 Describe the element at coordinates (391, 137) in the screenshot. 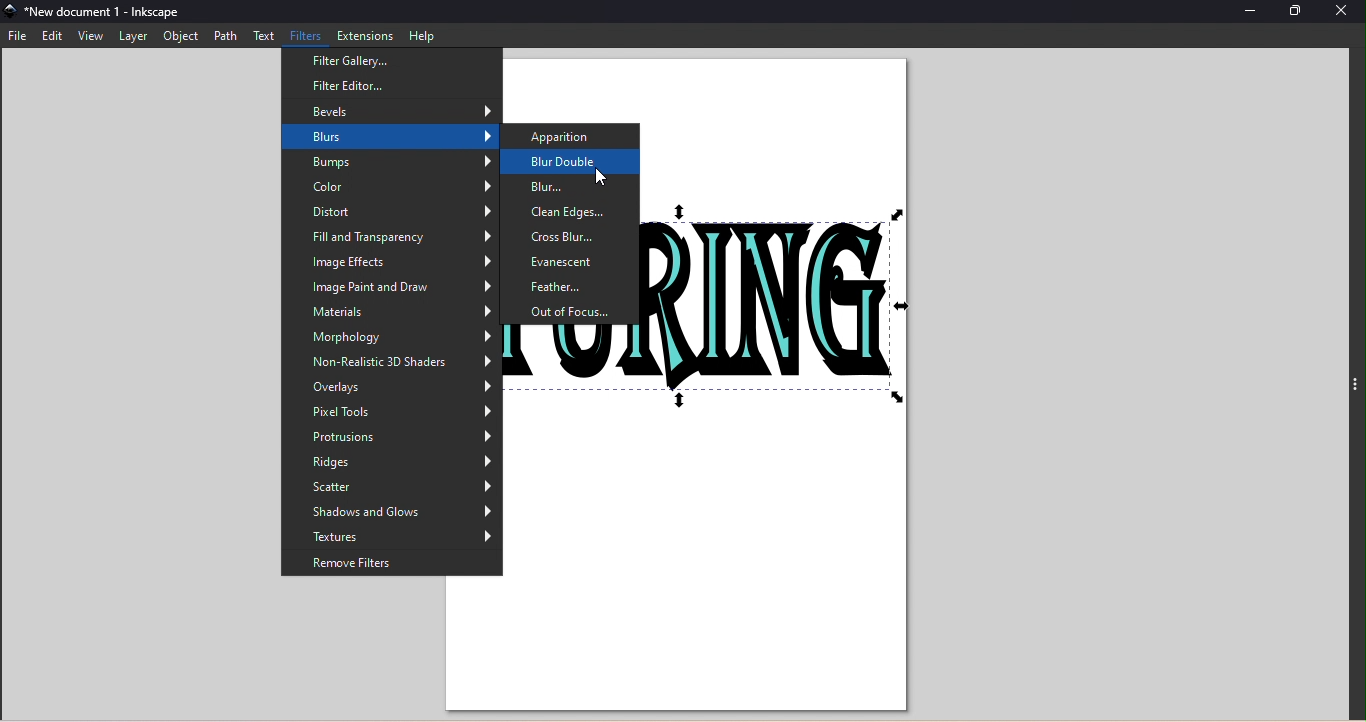

I see `Blurs` at that location.